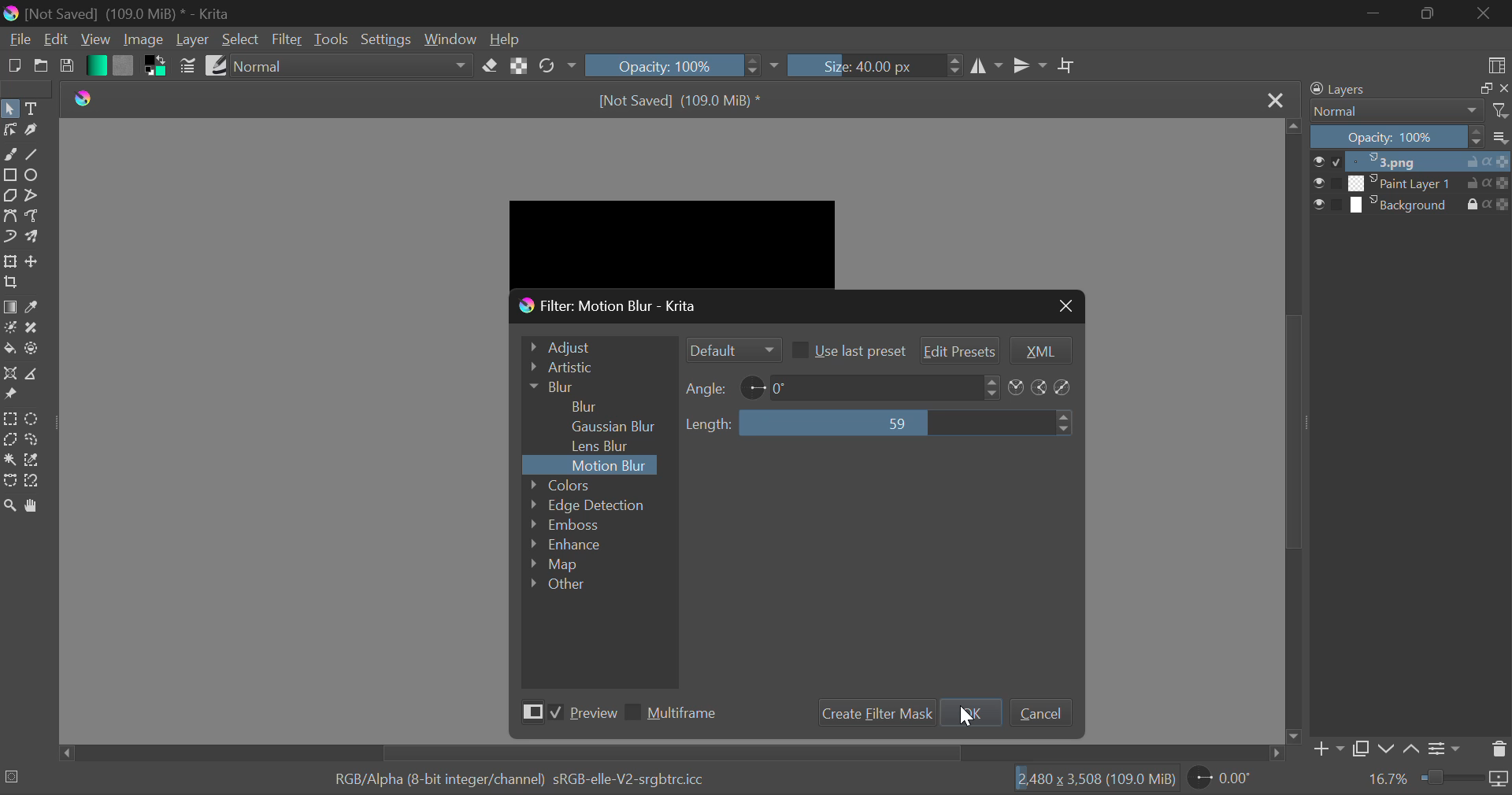 Image resolution: width=1512 pixels, height=795 pixels. What do you see at coordinates (13, 67) in the screenshot?
I see `New` at bounding box center [13, 67].